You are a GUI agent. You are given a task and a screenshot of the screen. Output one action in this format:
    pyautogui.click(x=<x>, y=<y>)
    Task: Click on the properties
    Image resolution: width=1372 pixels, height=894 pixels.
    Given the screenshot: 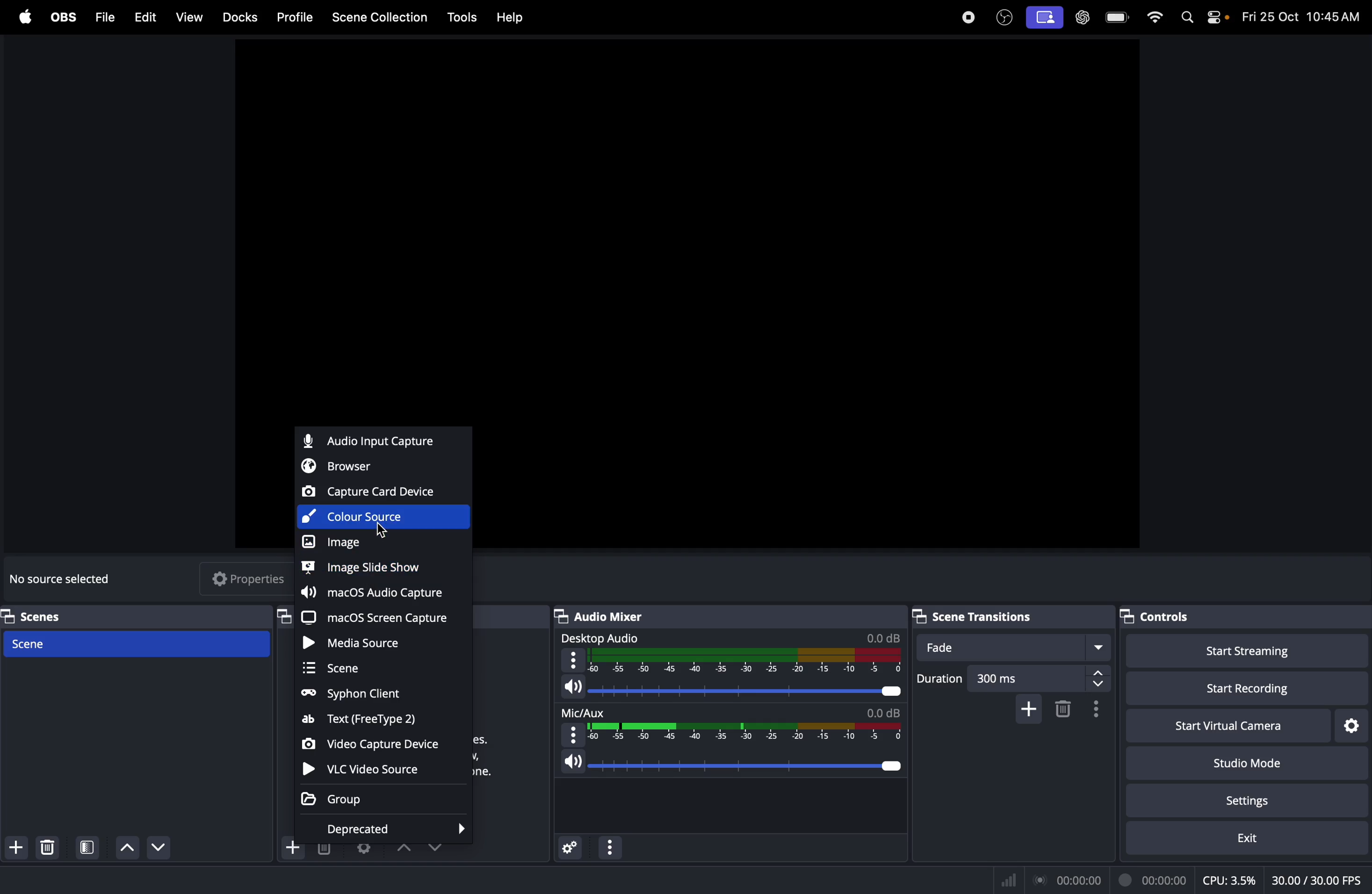 What is the action you would take?
    pyautogui.click(x=237, y=579)
    